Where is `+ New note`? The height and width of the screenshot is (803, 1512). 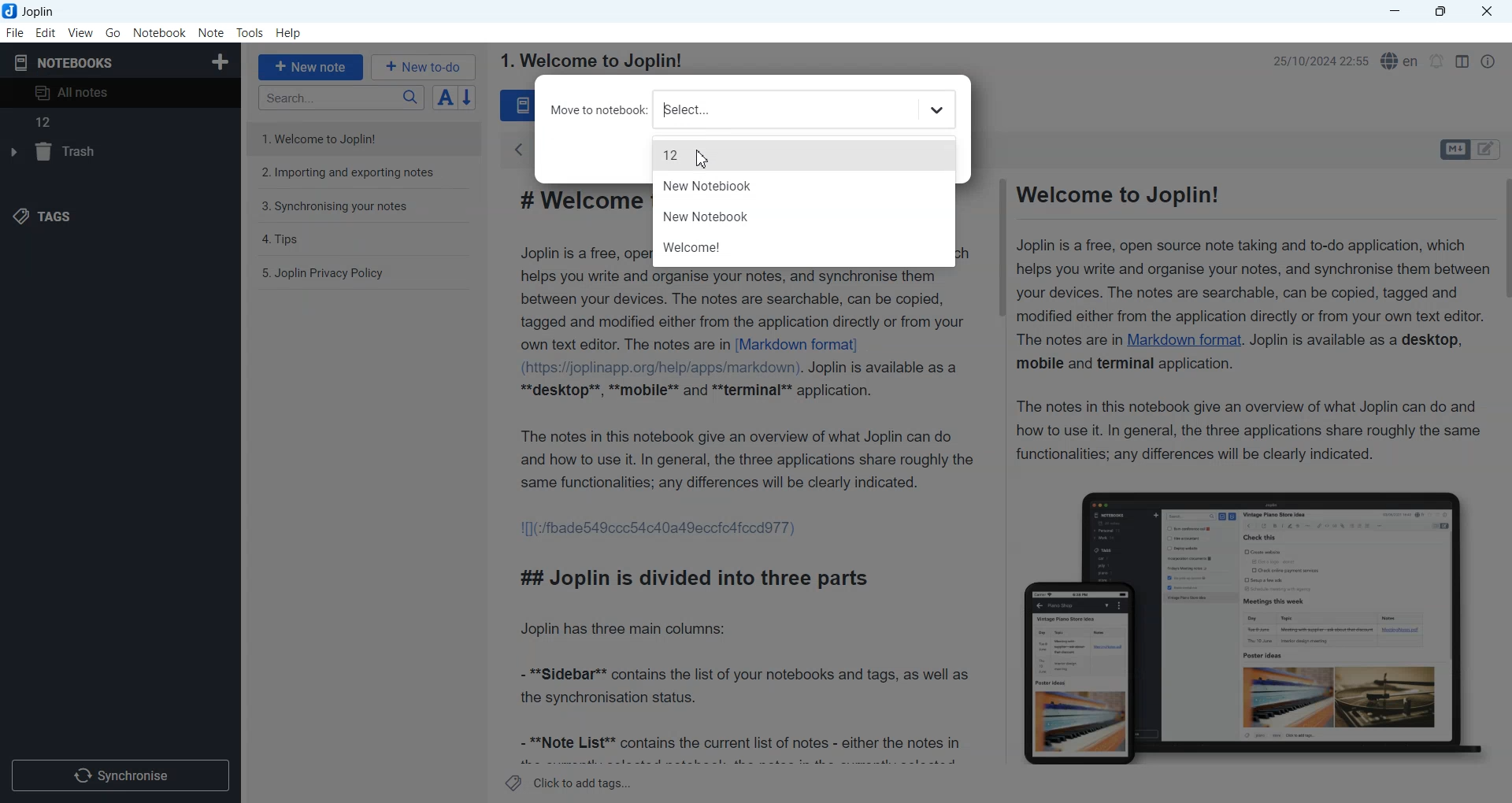 + New note is located at coordinates (311, 67).